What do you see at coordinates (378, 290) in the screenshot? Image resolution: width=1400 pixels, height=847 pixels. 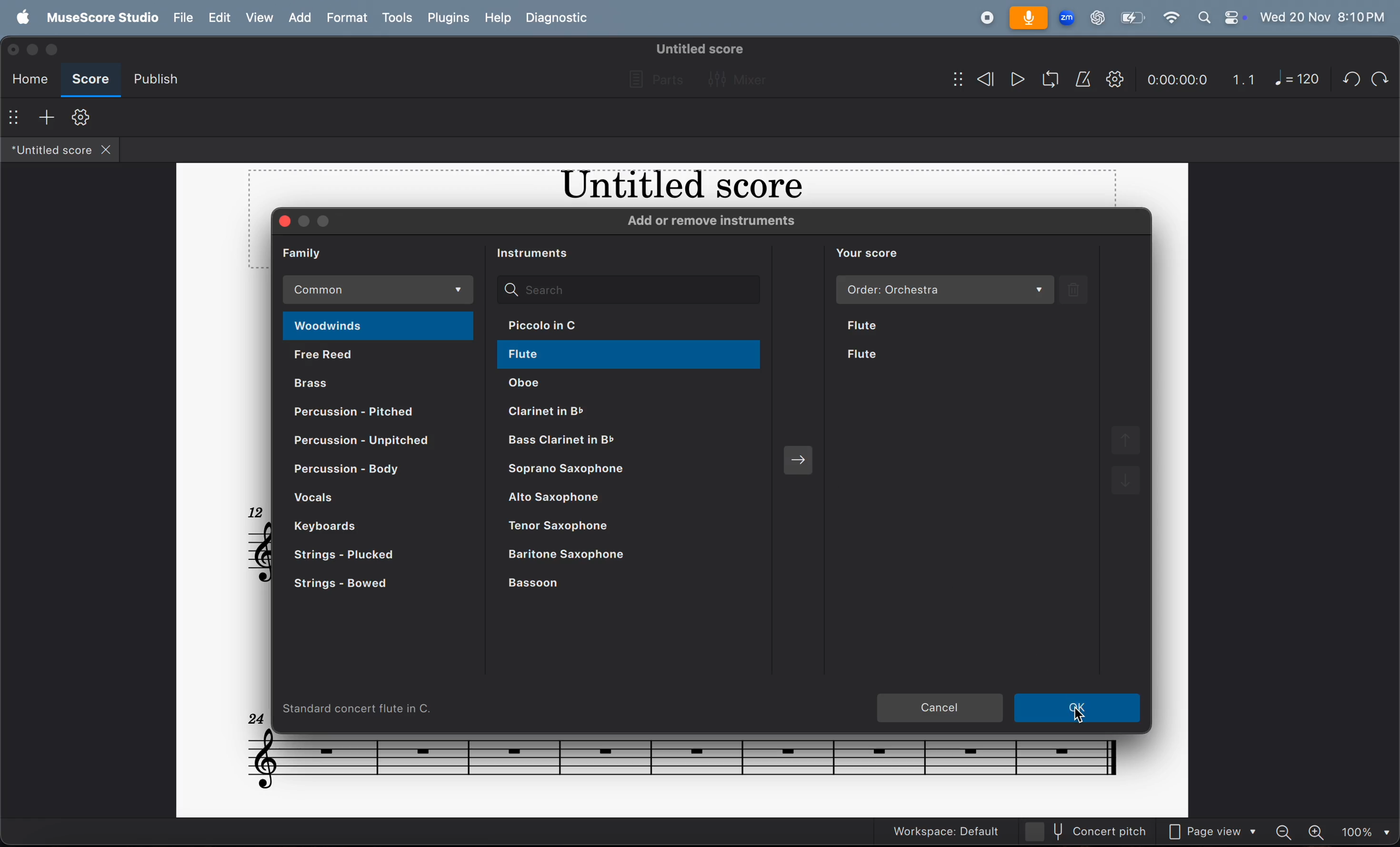 I see `common` at bounding box center [378, 290].